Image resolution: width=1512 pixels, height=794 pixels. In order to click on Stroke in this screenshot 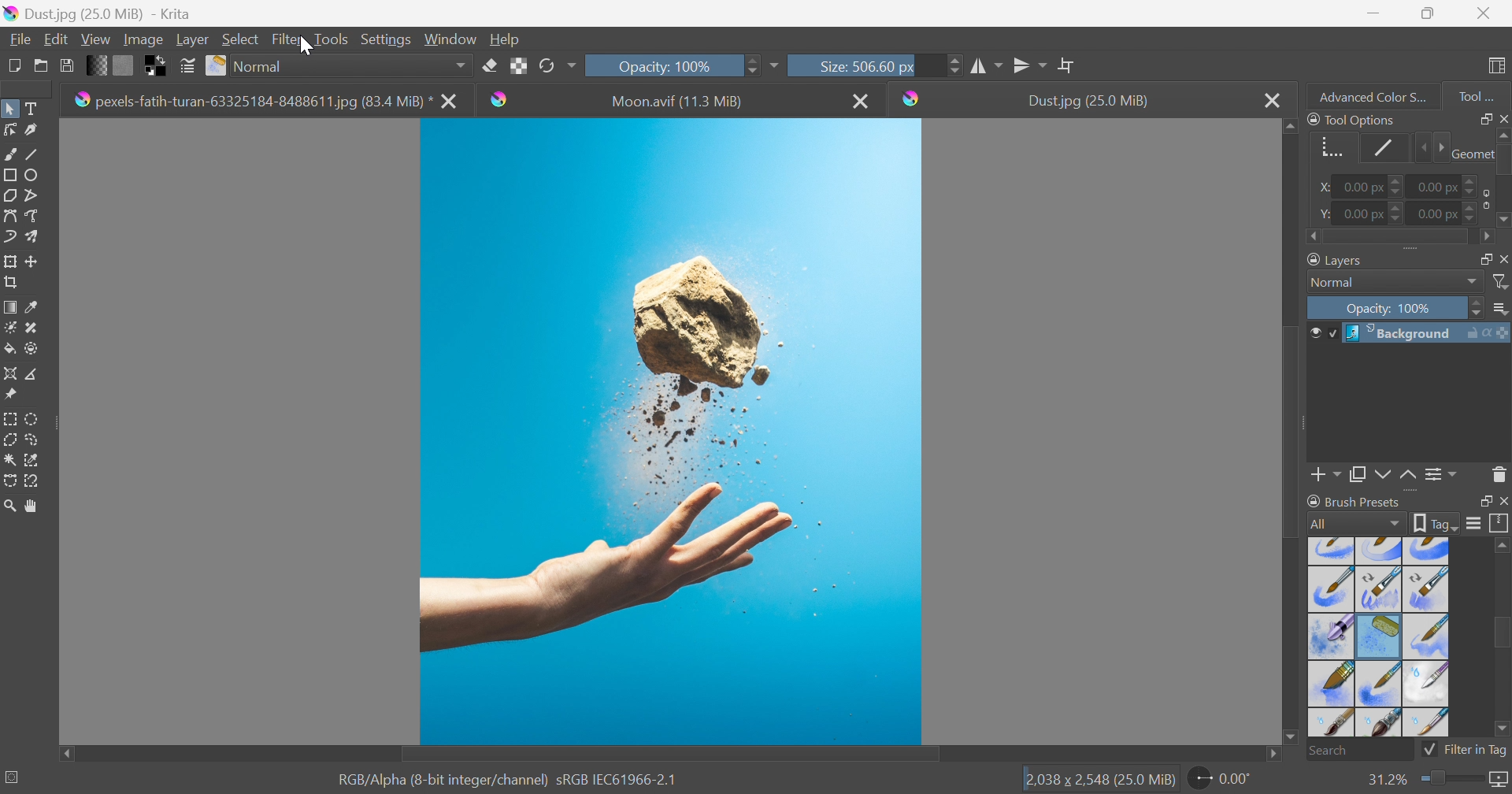, I will do `click(1384, 147)`.